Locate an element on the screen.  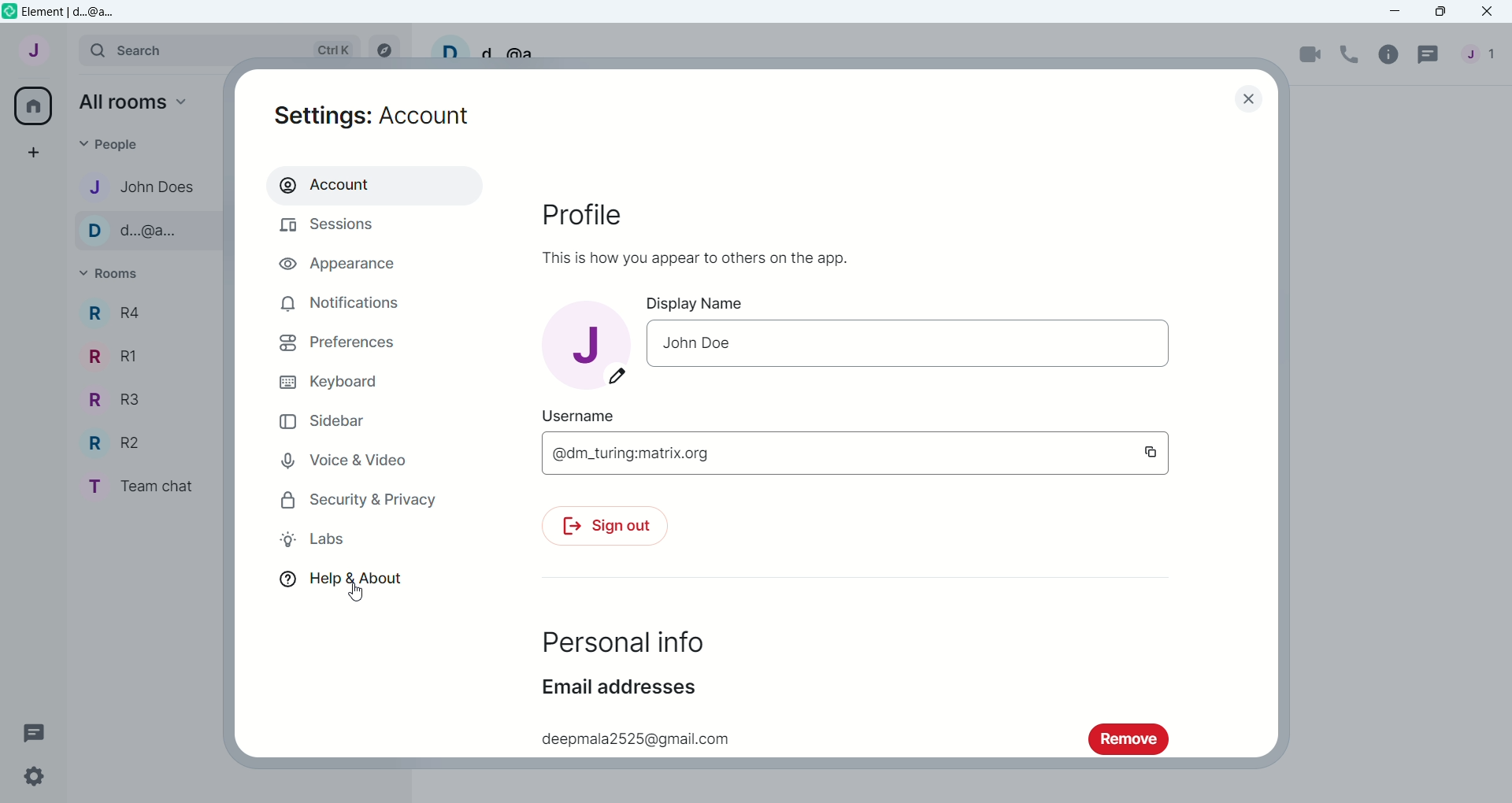
Settings : account is located at coordinates (375, 117).